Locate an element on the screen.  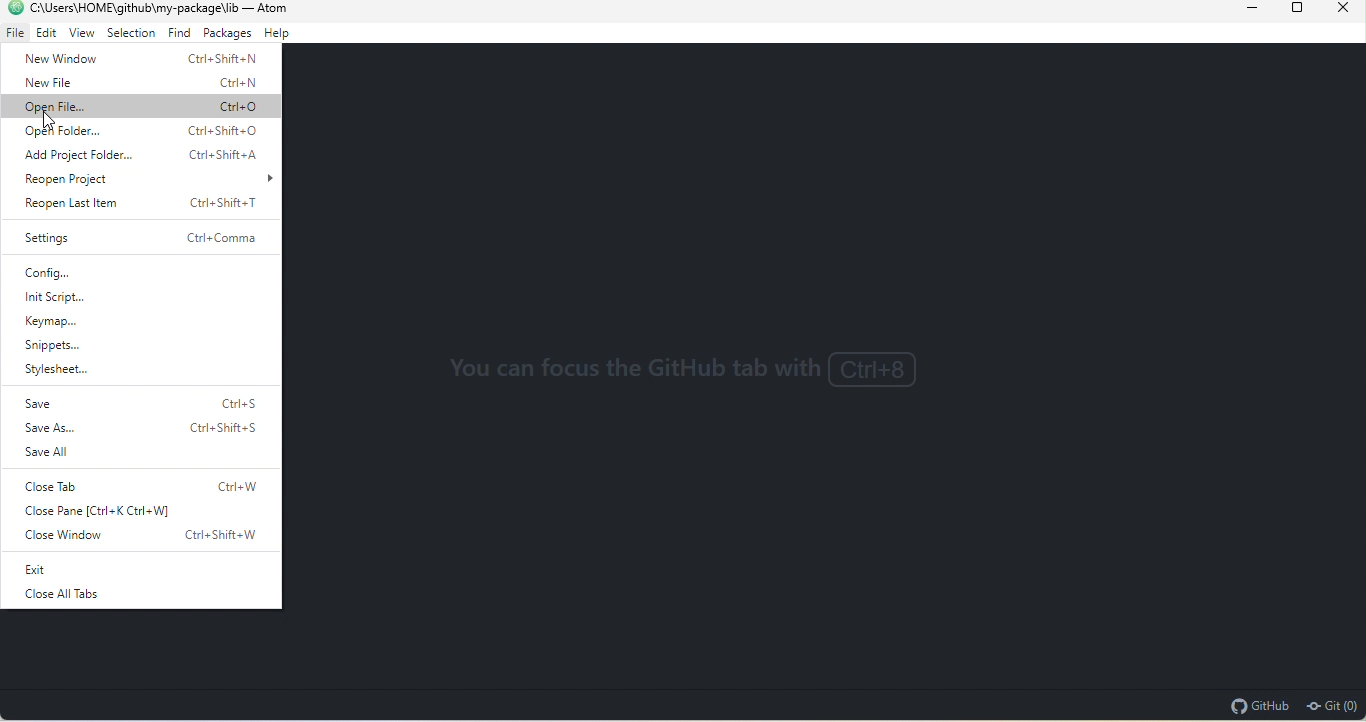
maximize is located at coordinates (1290, 10).